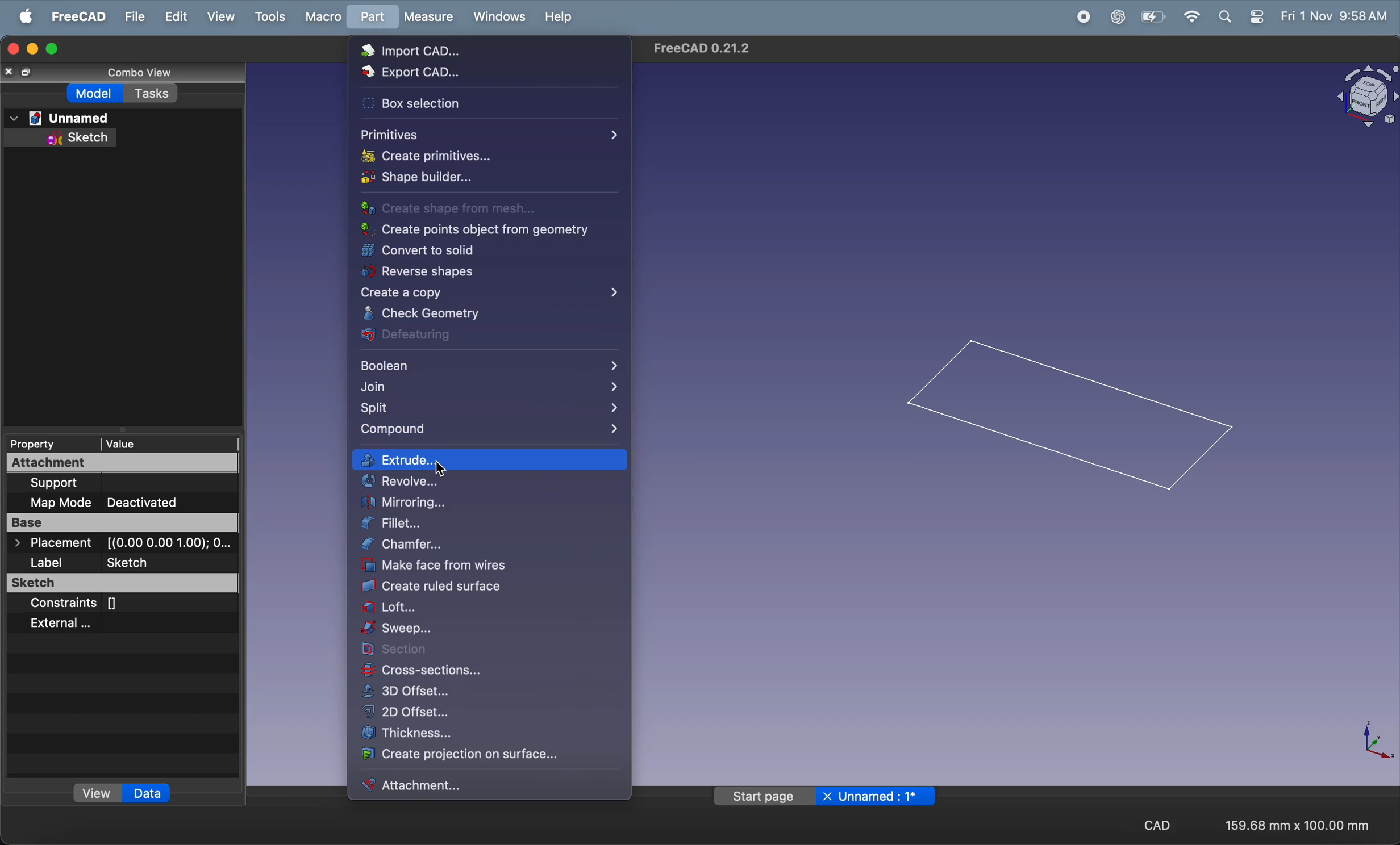  What do you see at coordinates (369, 19) in the screenshot?
I see `part` at bounding box center [369, 19].